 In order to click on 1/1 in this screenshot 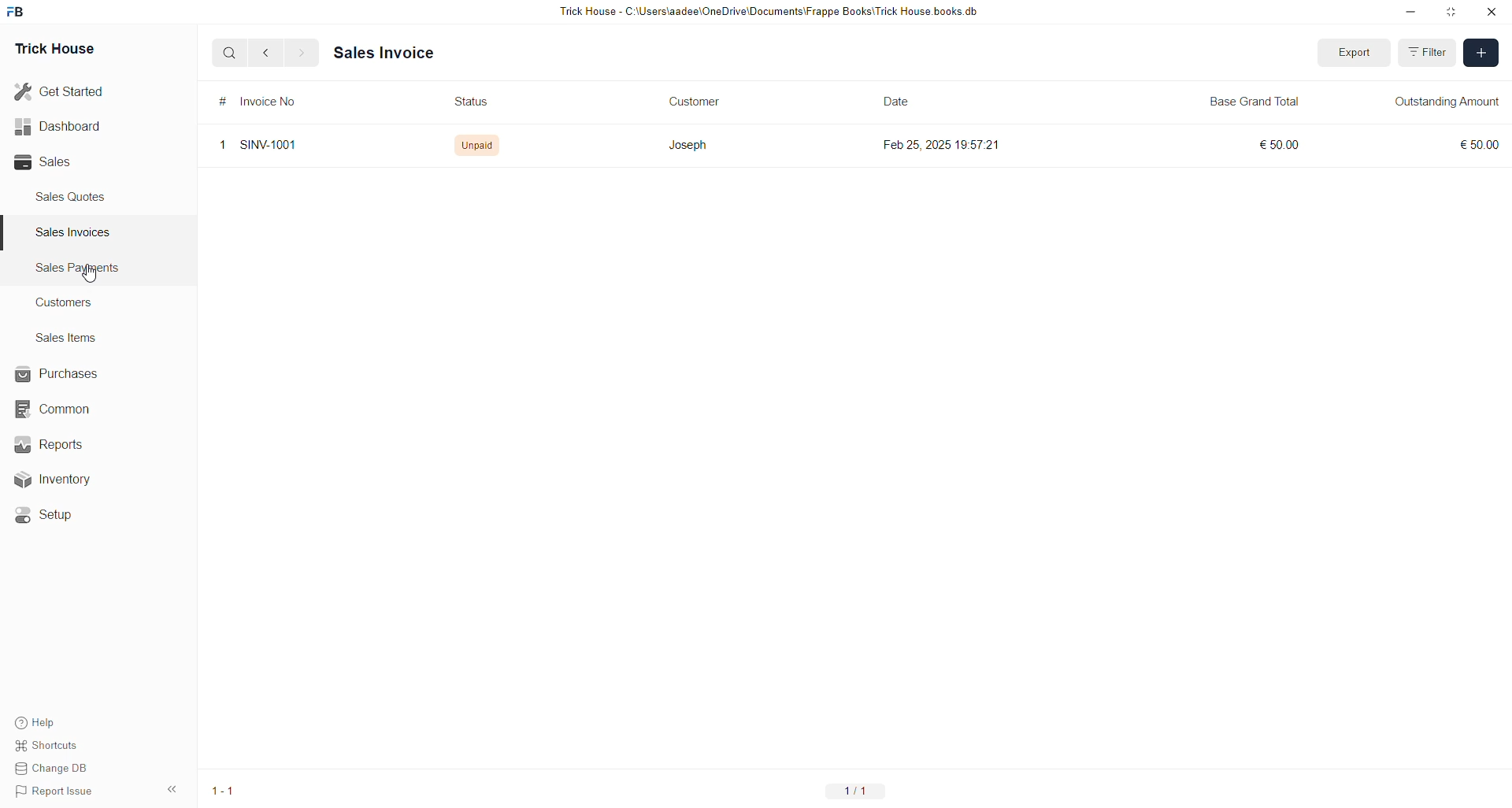, I will do `click(853, 791)`.